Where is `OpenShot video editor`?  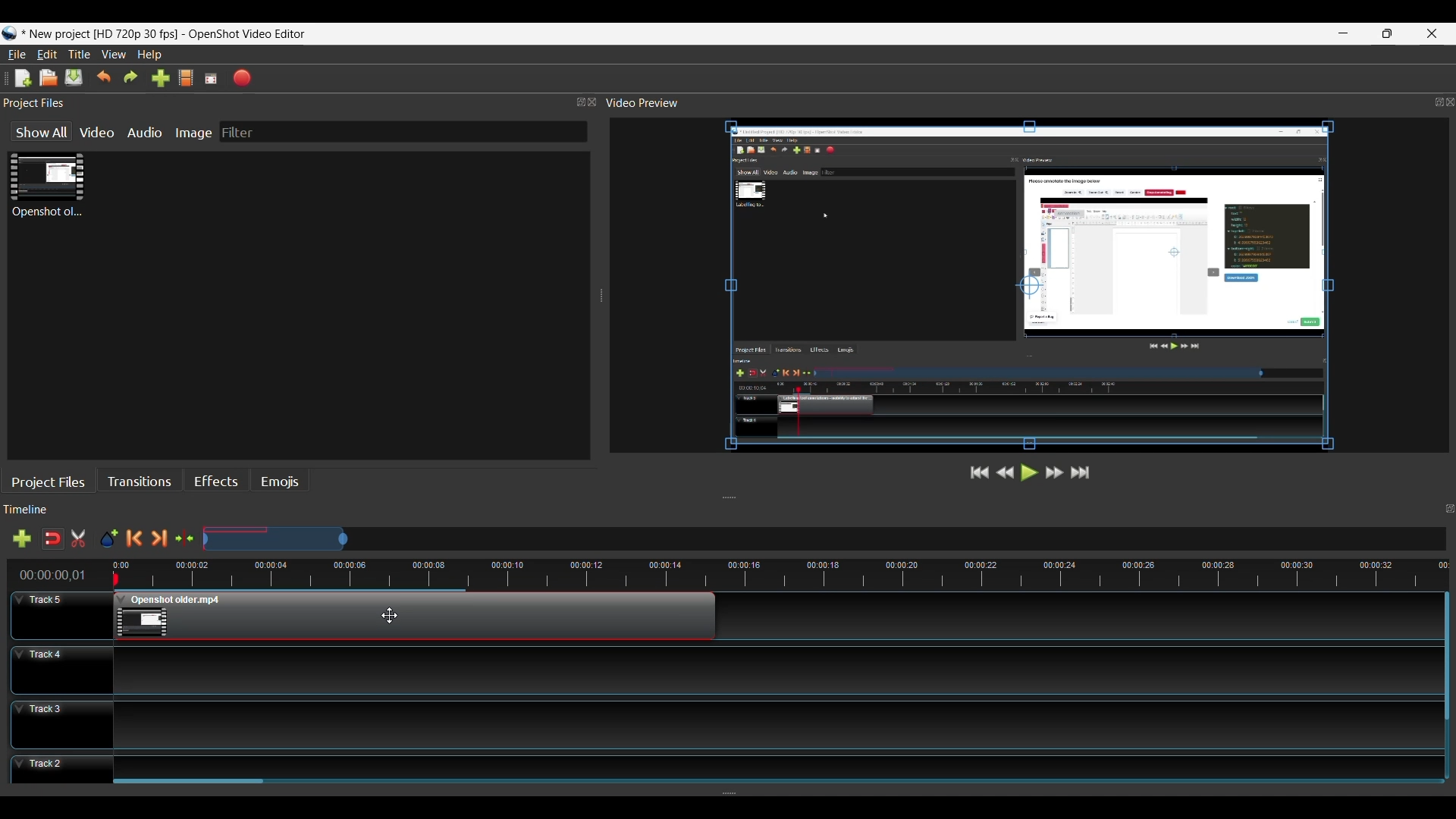 OpenShot video editor is located at coordinates (253, 34).